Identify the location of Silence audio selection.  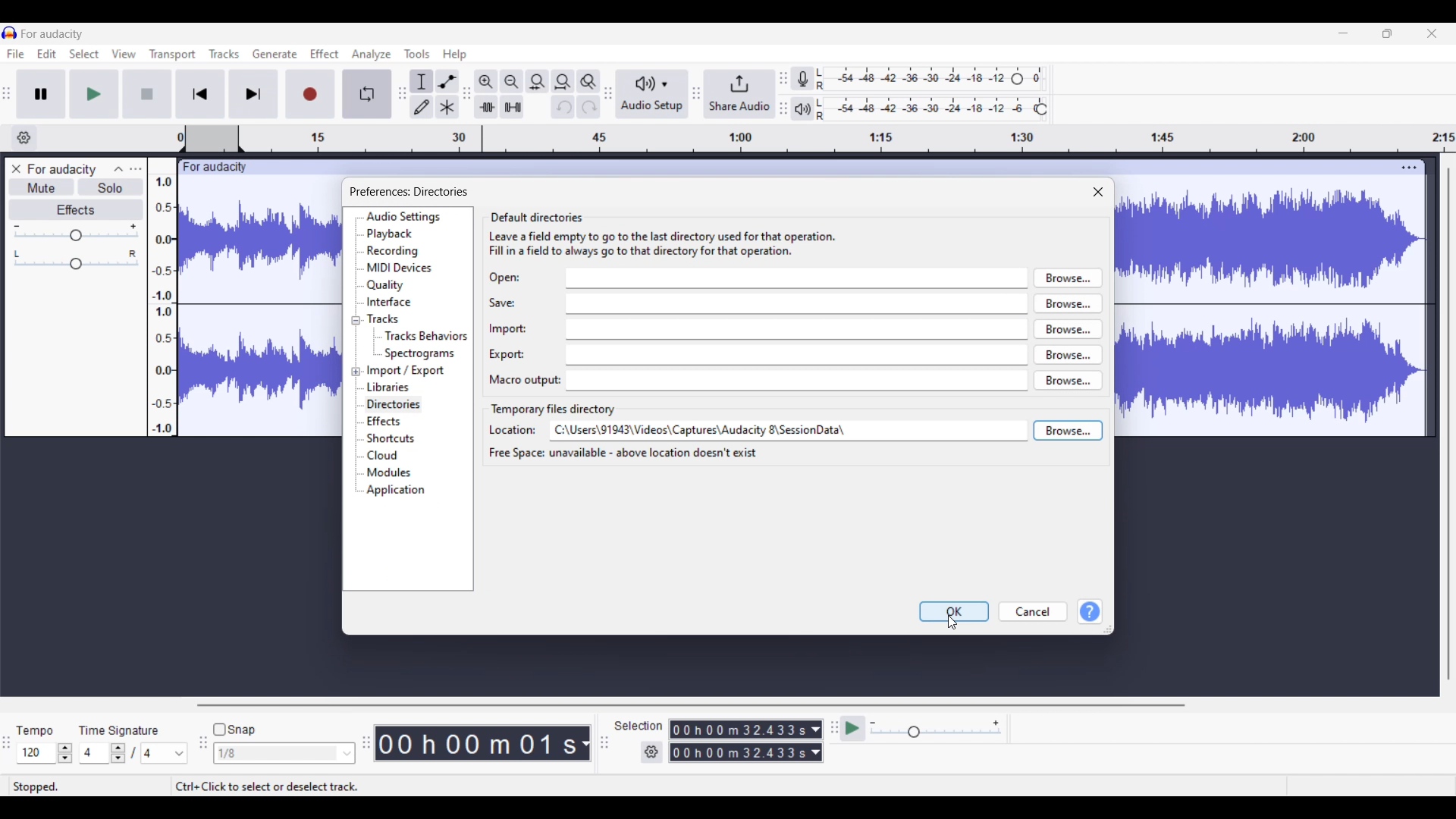
(512, 107).